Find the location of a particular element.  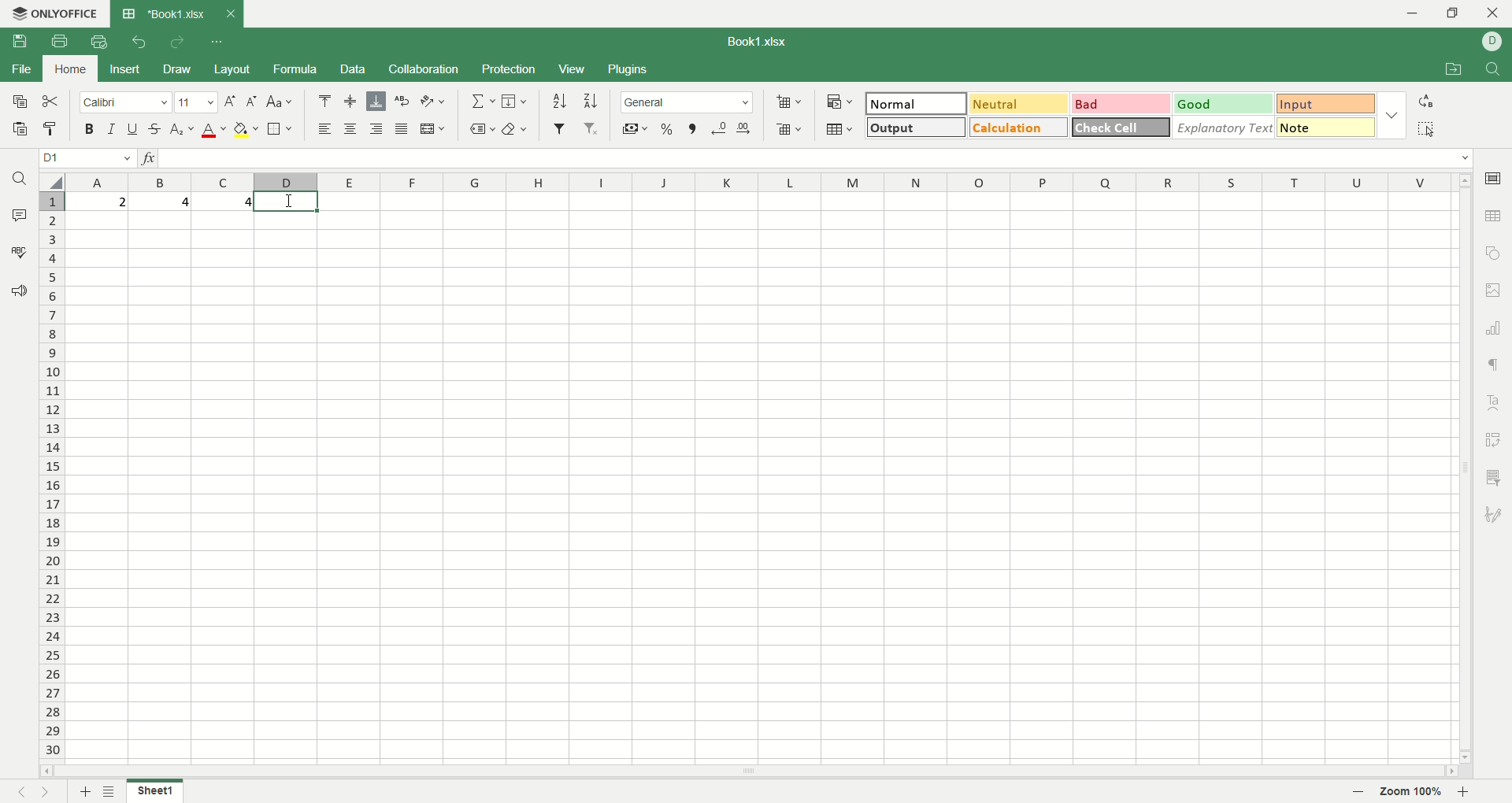

clear is located at coordinates (517, 128).